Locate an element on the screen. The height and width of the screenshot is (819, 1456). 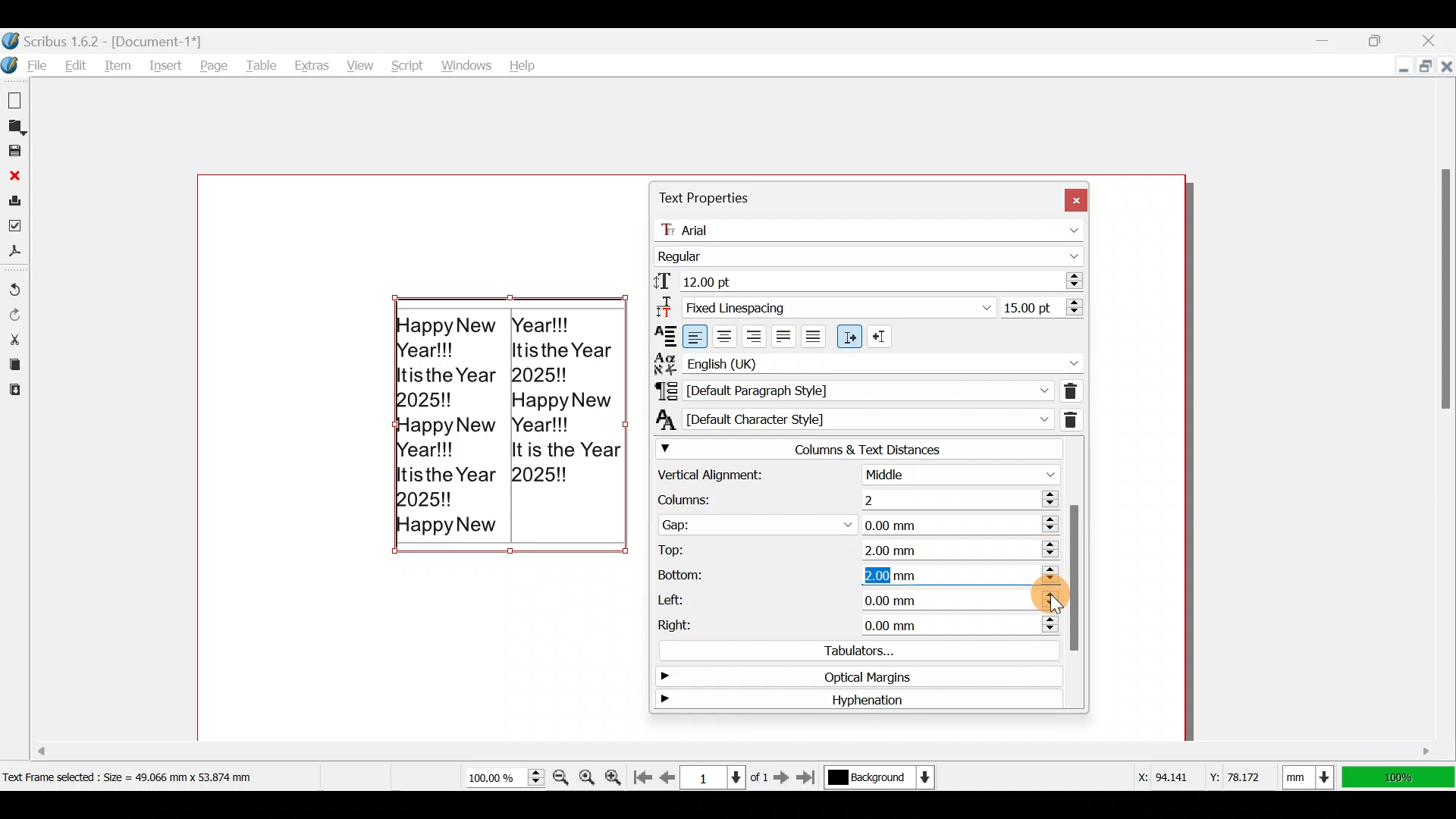
Current zoom level is located at coordinates (504, 778).